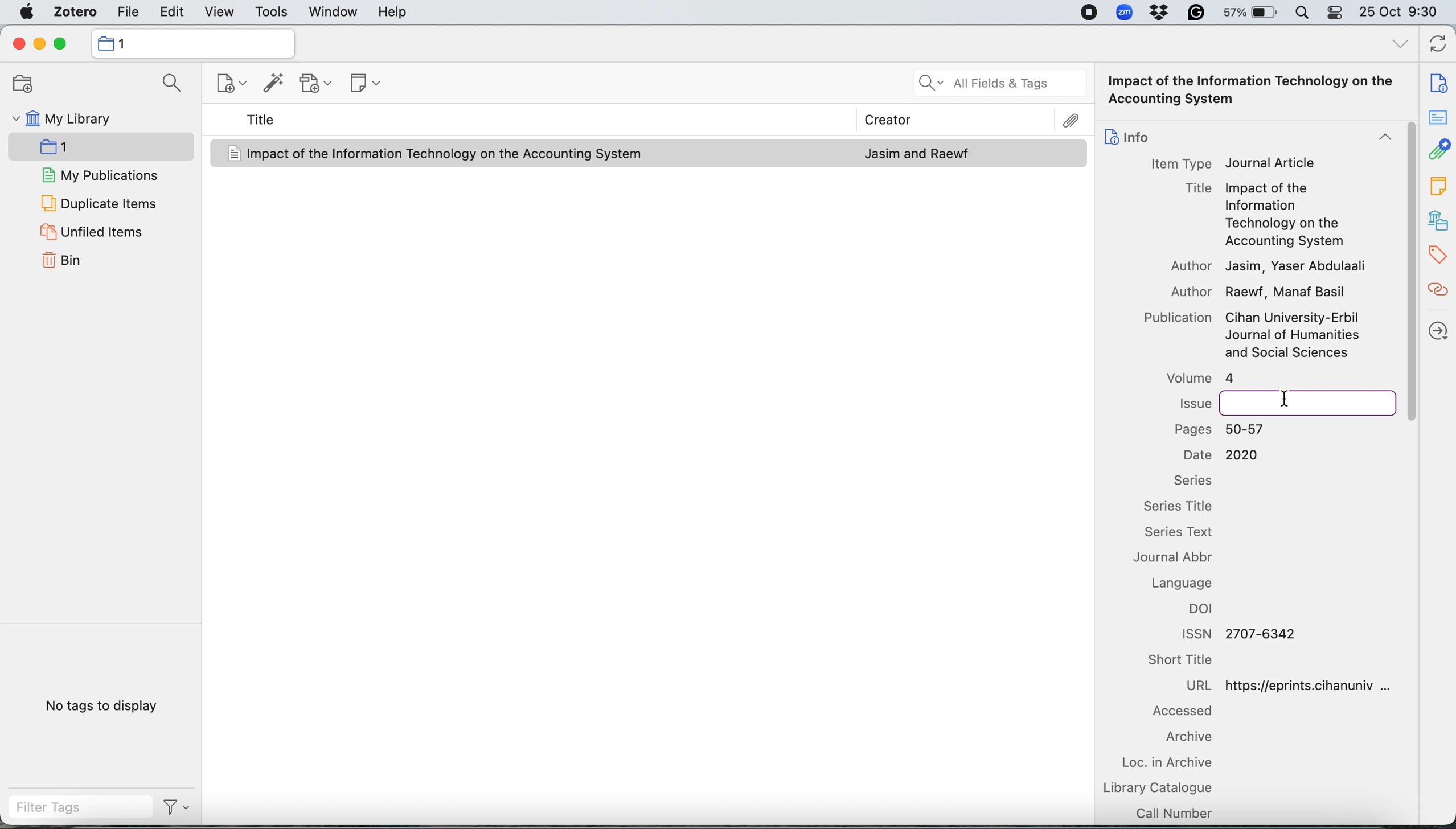  What do you see at coordinates (88, 120) in the screenshot?
I see `my library` at bounding box center [88, 120].